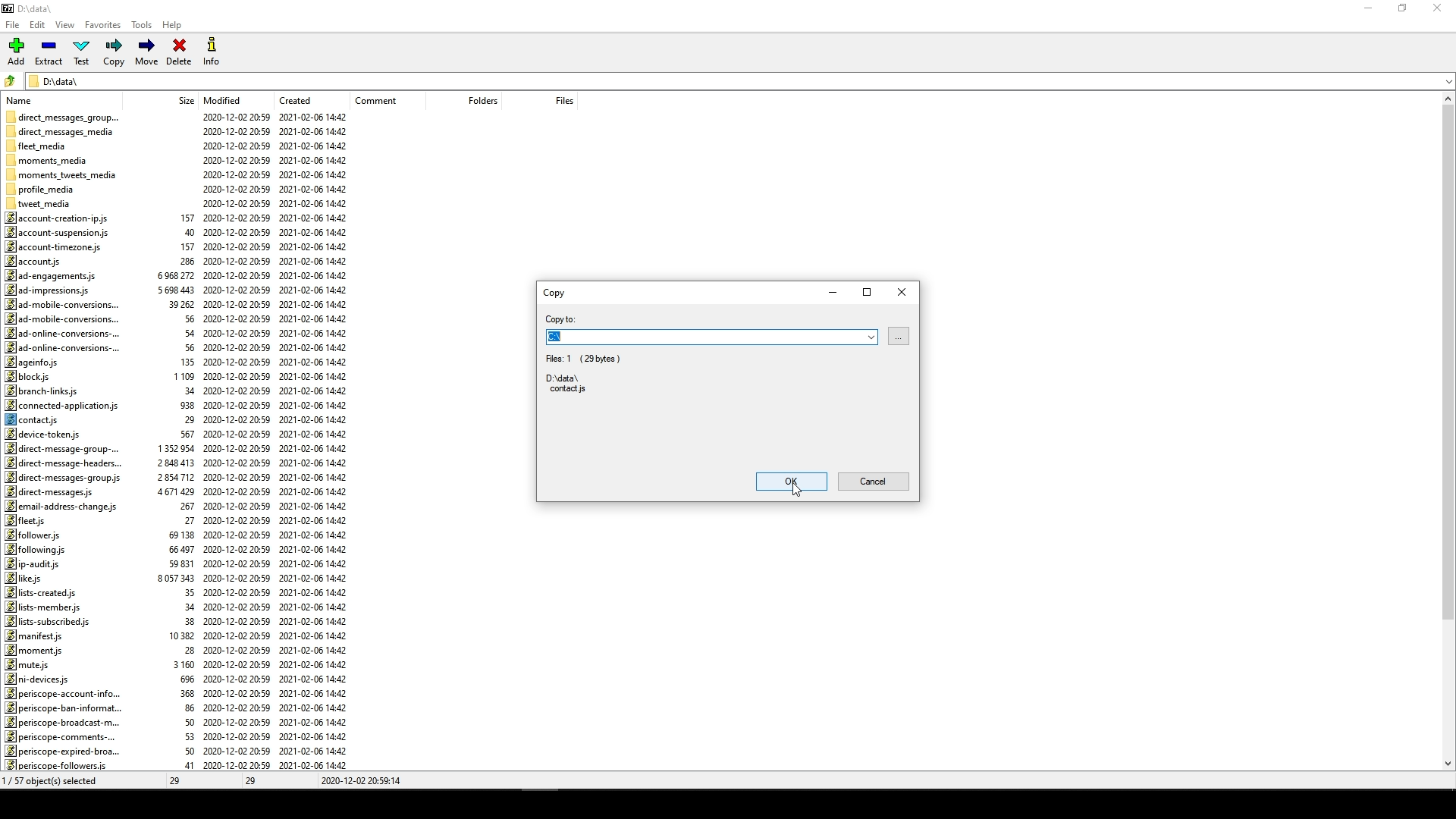 The height and width of the screenshot is (819, 1456). What do you see at coordinates (69, 707) in the screenshot?
I see `periscope-ban-informat` at bounding box center [69, 707].